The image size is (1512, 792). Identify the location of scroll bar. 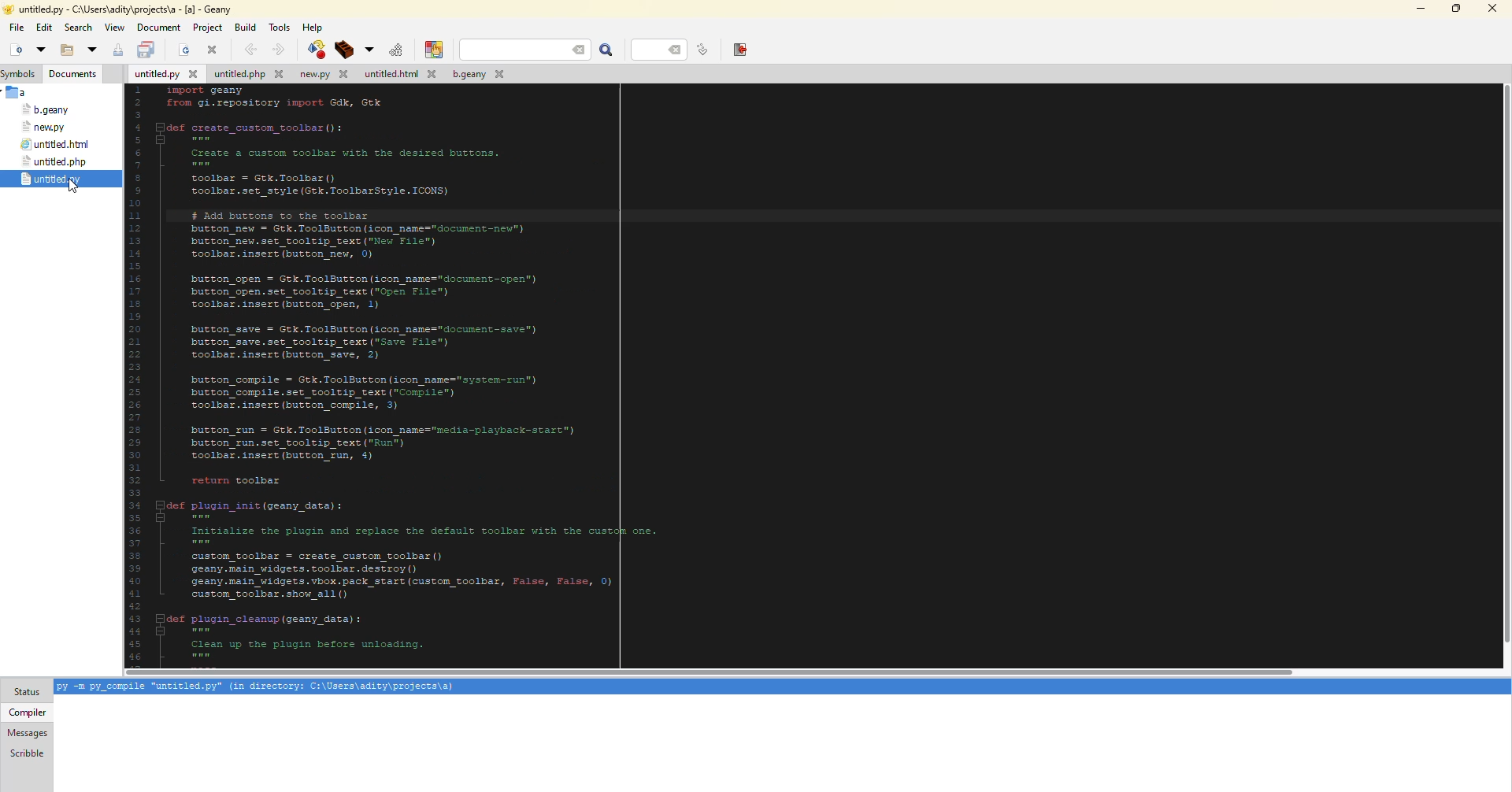
(1514, 376).